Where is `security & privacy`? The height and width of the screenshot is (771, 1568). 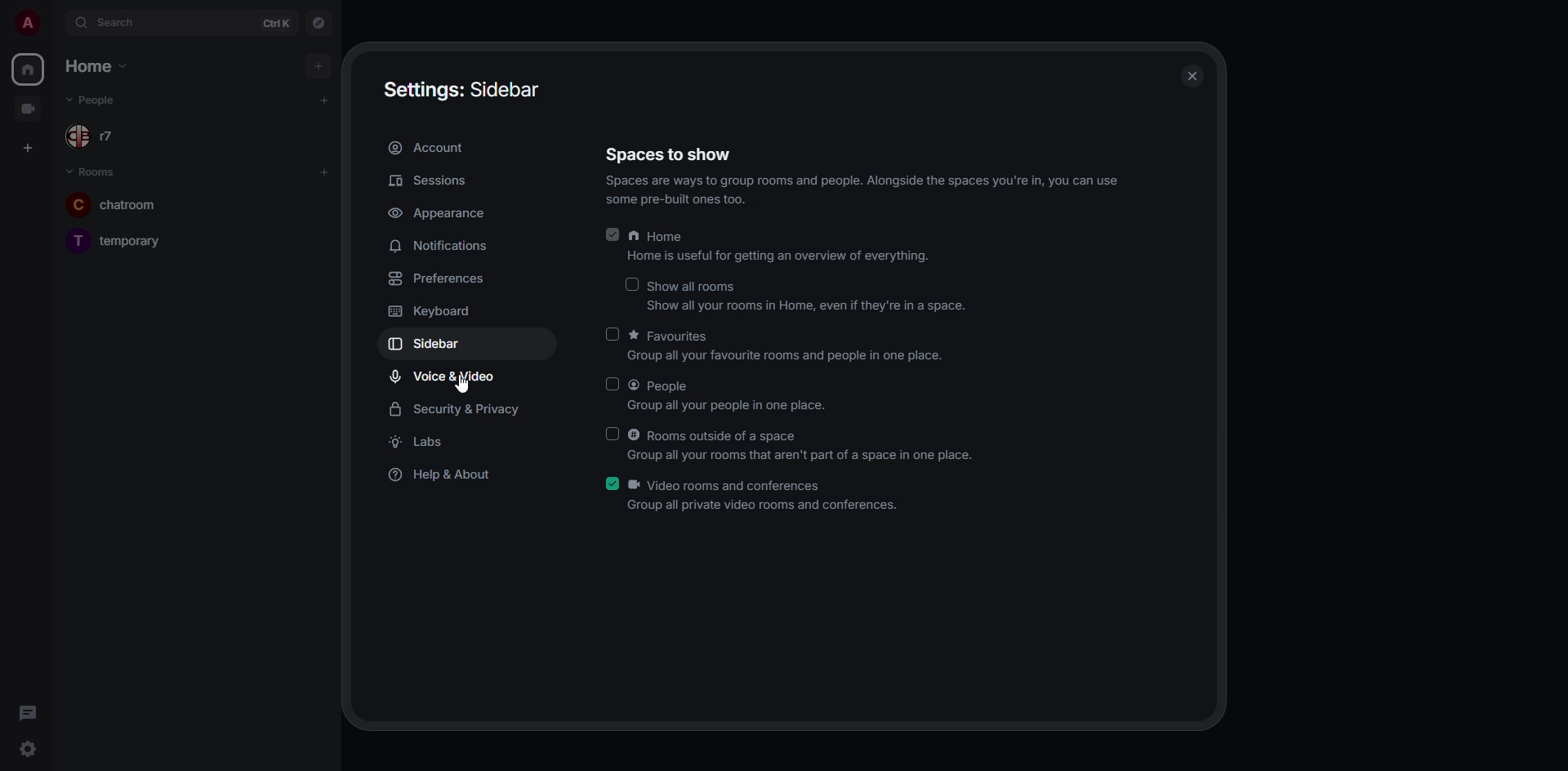 security & privacy is located at coordinates (458, 407).